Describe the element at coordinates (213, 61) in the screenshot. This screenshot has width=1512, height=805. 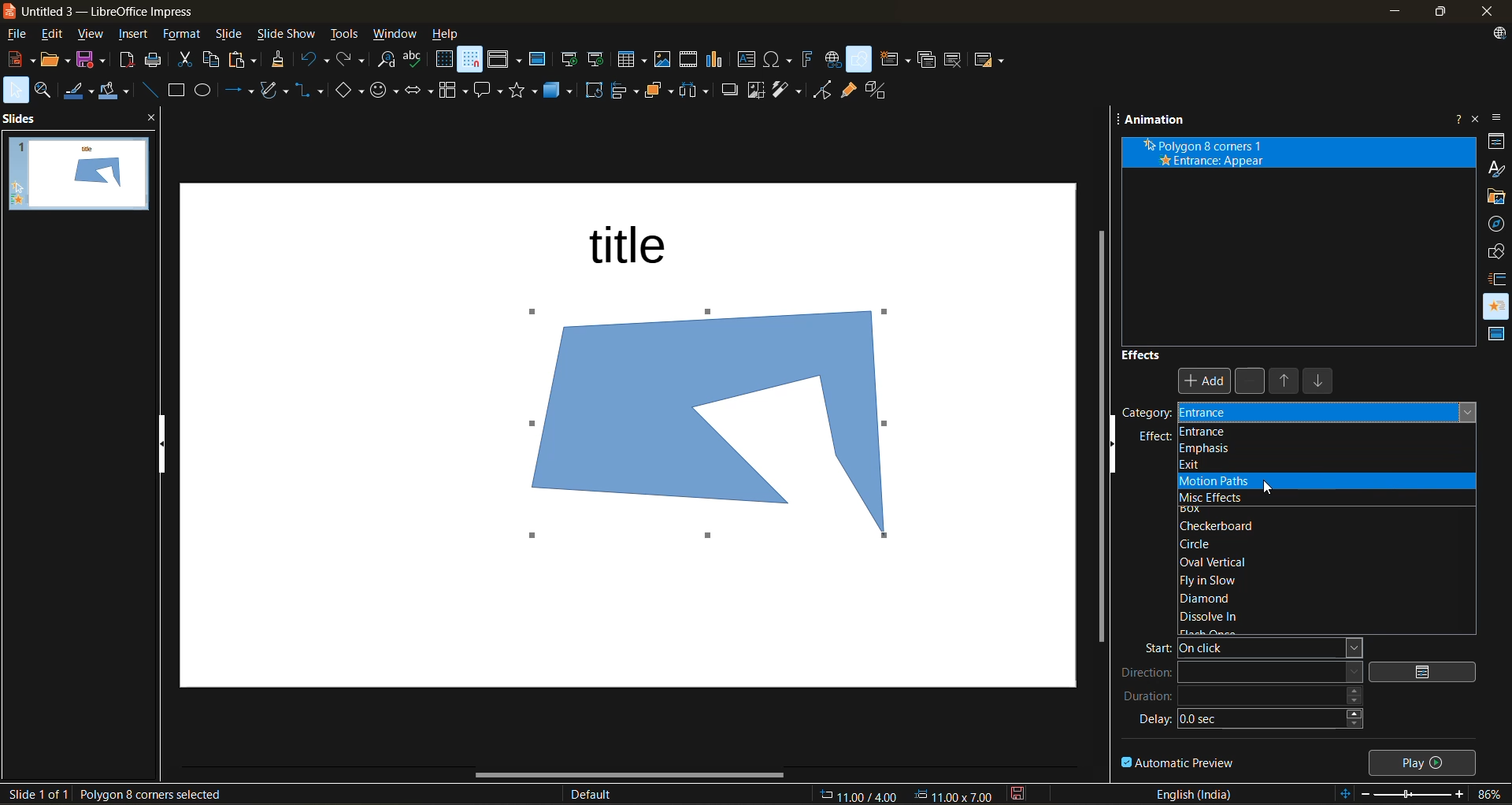
I see `copy` at that location.